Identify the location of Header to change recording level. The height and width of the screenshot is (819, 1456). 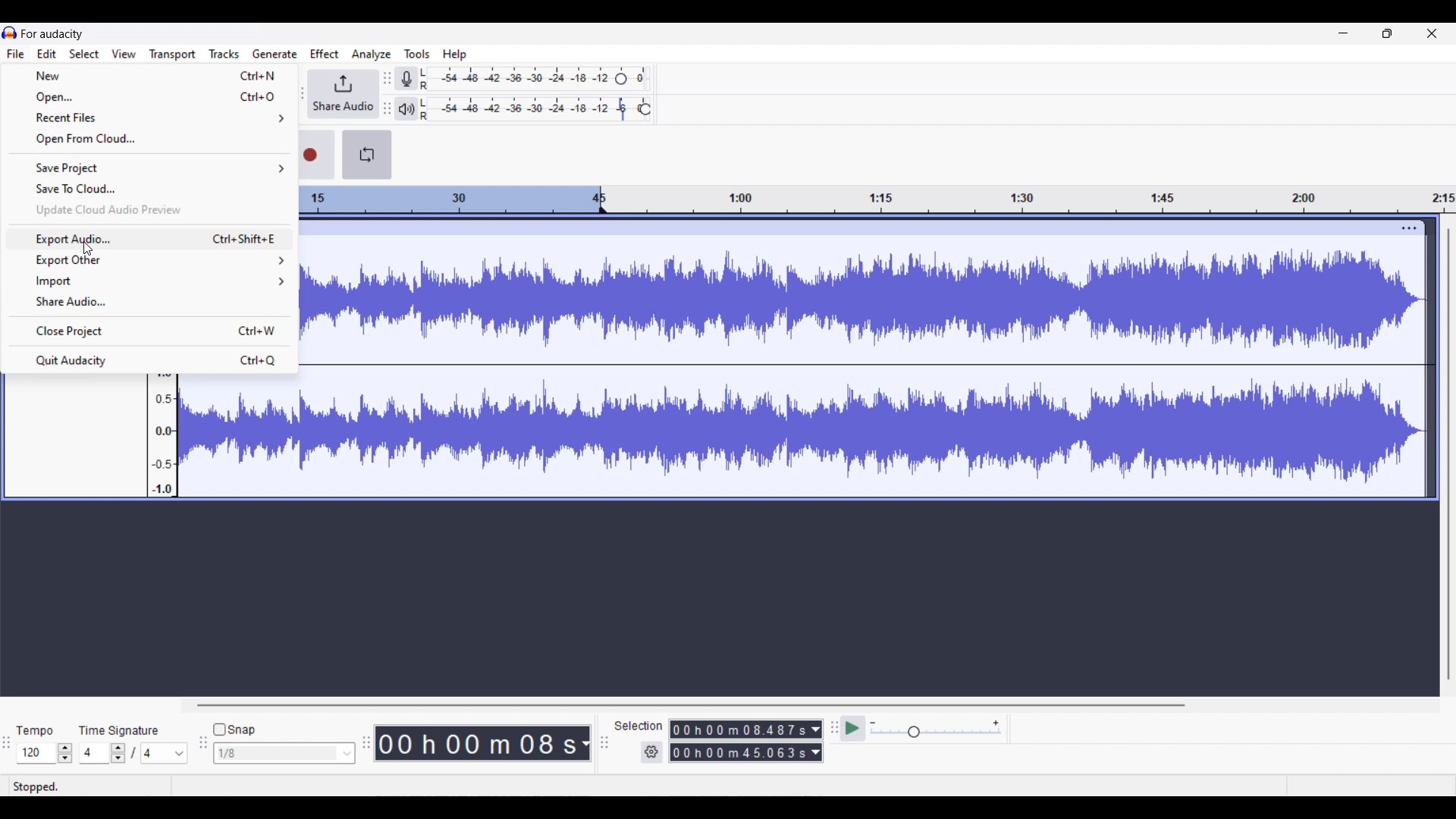
(621, 79).